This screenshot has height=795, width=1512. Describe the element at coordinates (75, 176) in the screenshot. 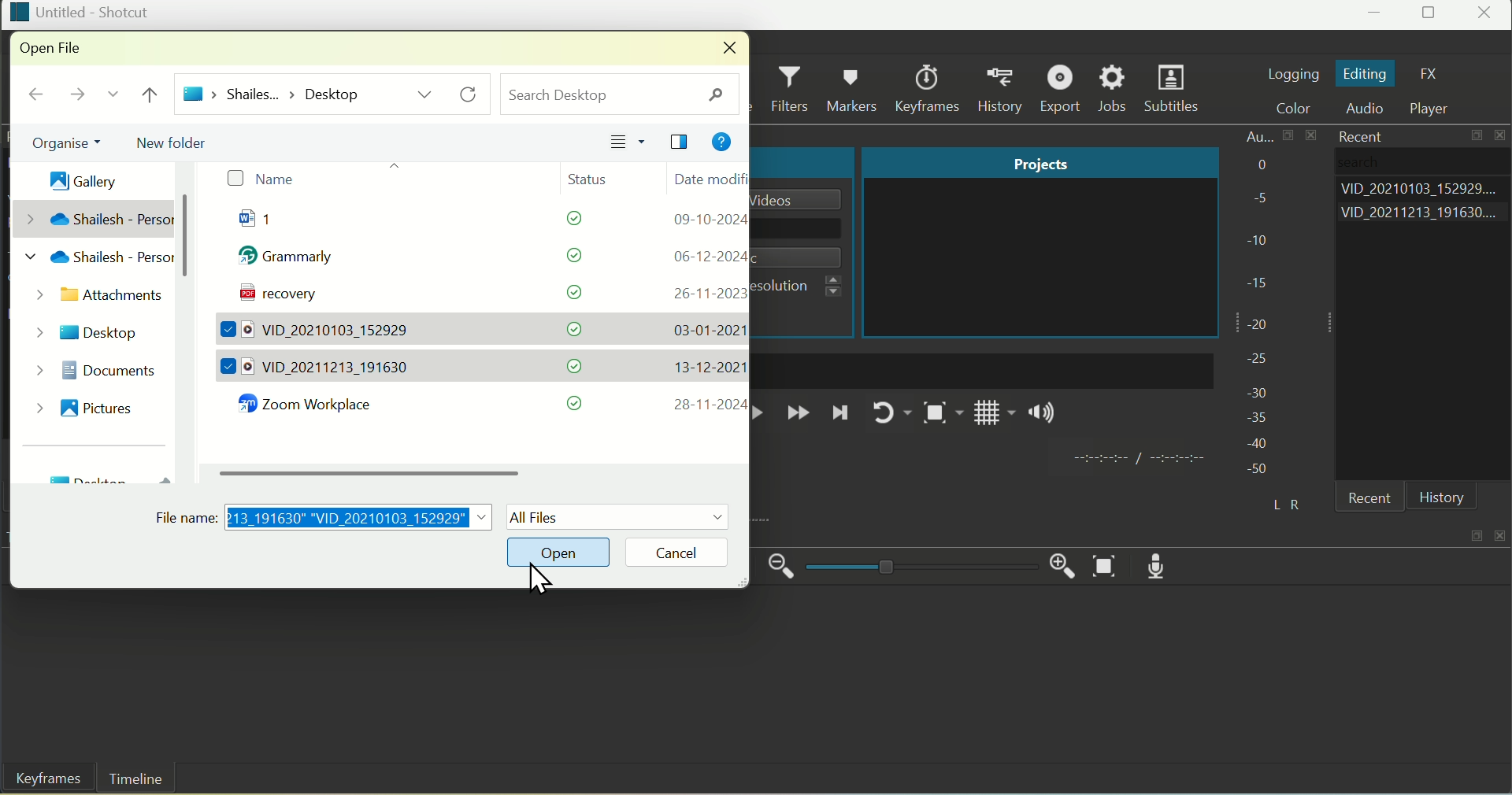

I see `Gallery` at that location.